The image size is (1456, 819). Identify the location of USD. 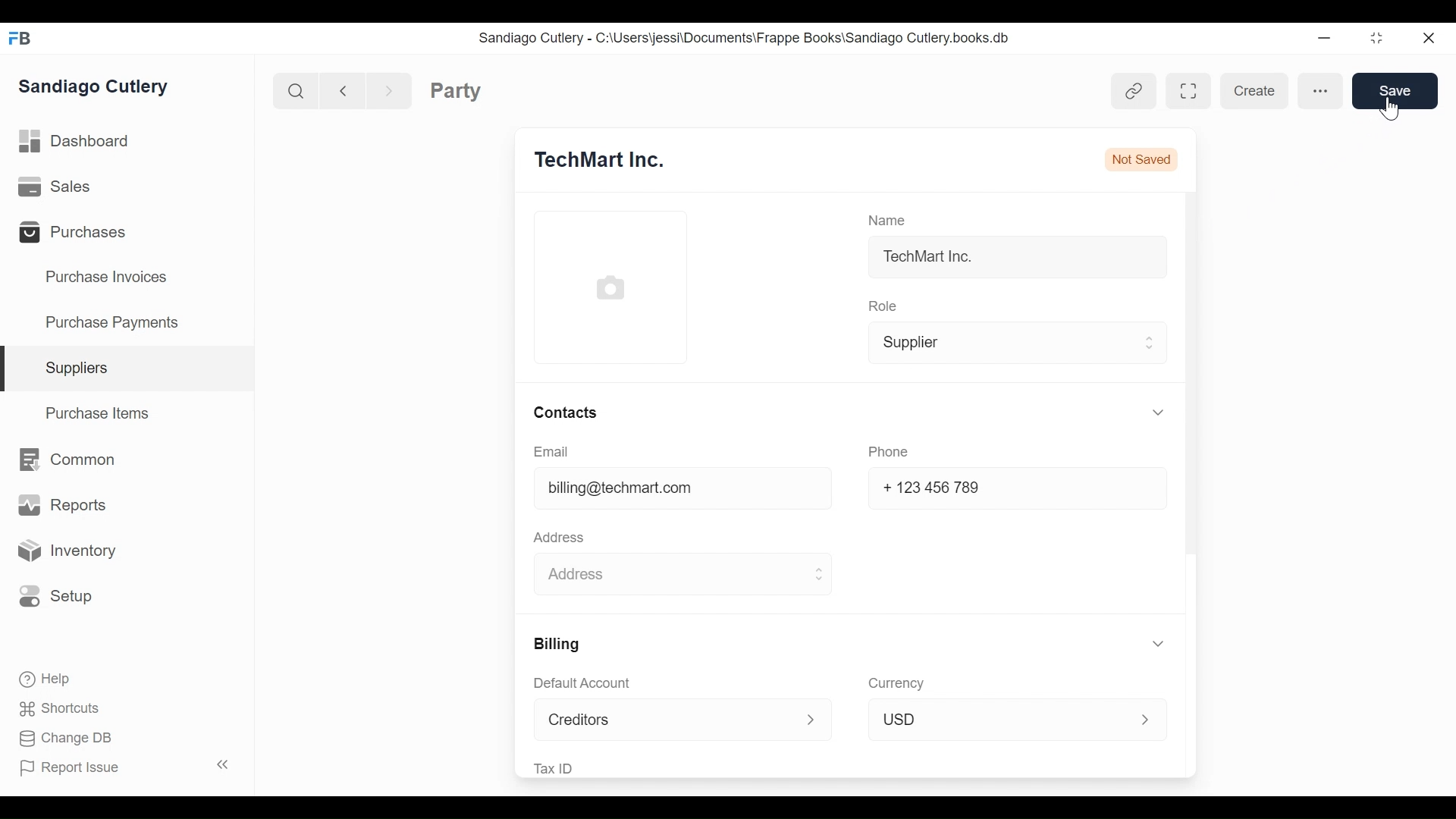
(1013, 717).